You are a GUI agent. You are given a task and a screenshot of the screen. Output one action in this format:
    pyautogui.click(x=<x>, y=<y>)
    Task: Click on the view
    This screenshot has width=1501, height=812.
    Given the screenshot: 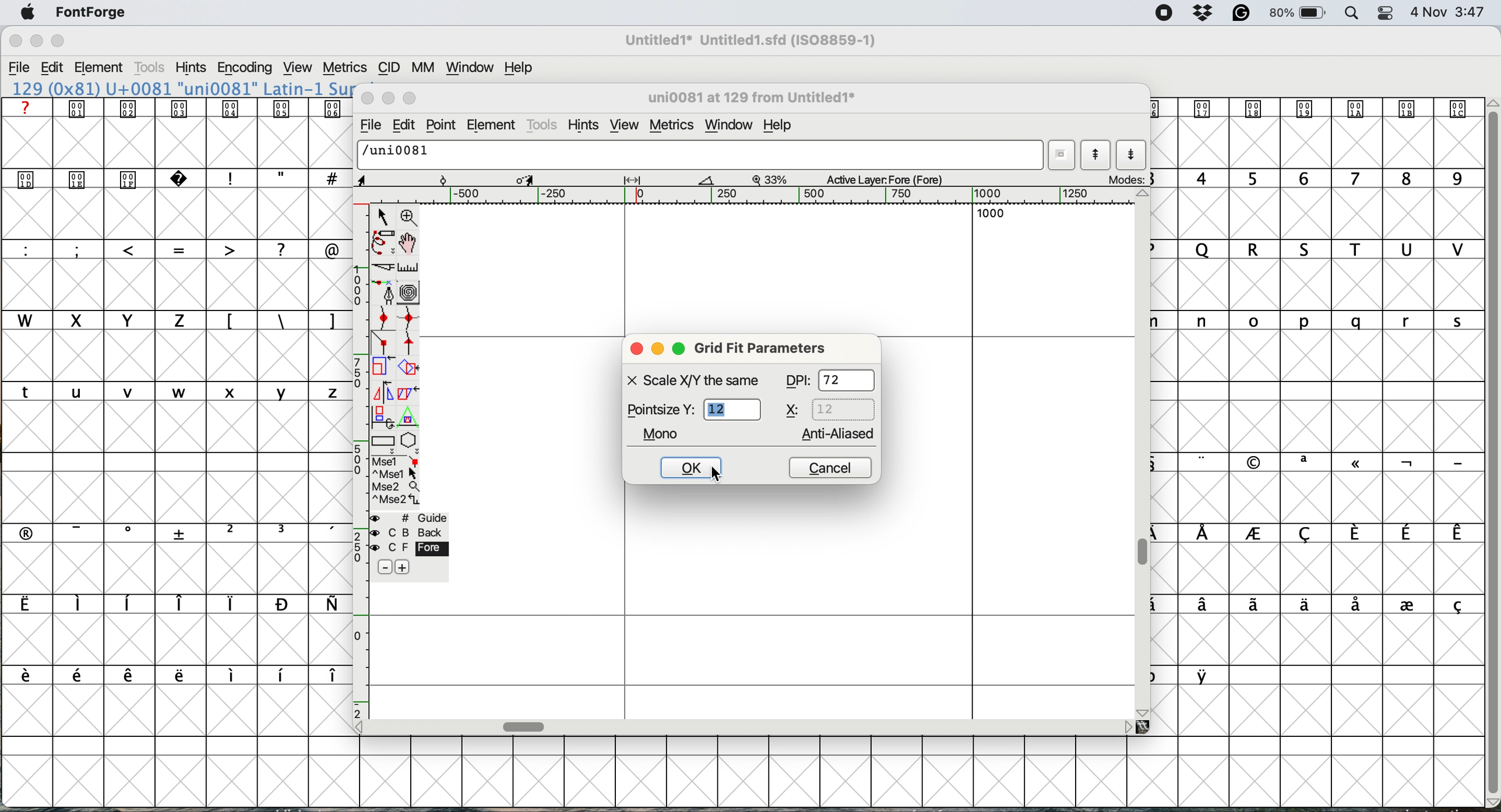 What is the action you would take?
    pyautogui.click(x=624, y=121)
    